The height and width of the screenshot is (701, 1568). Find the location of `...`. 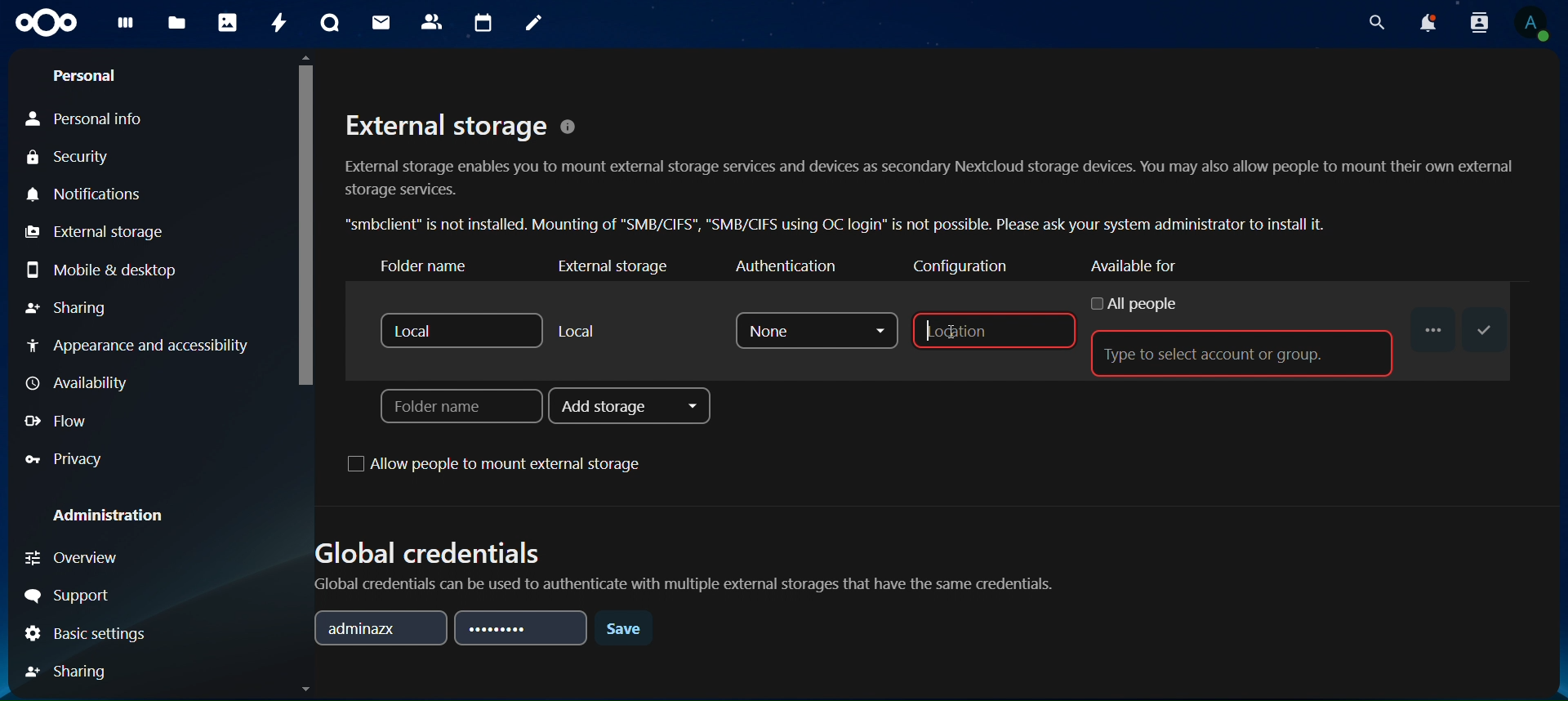

... is located at coordinates (1432, 325).